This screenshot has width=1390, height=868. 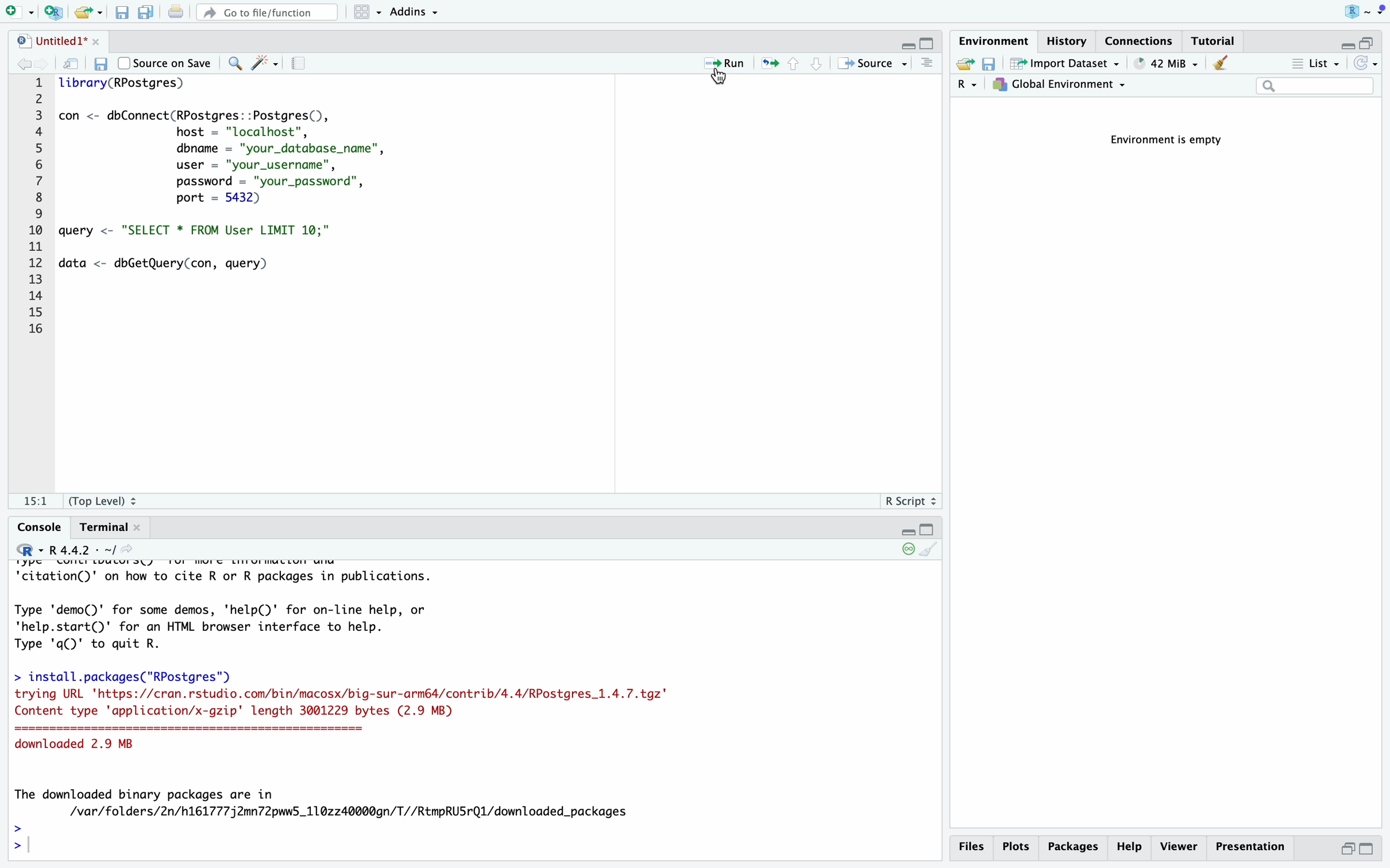 I want to click on 148 MiB, so click(x=1169, y=64).